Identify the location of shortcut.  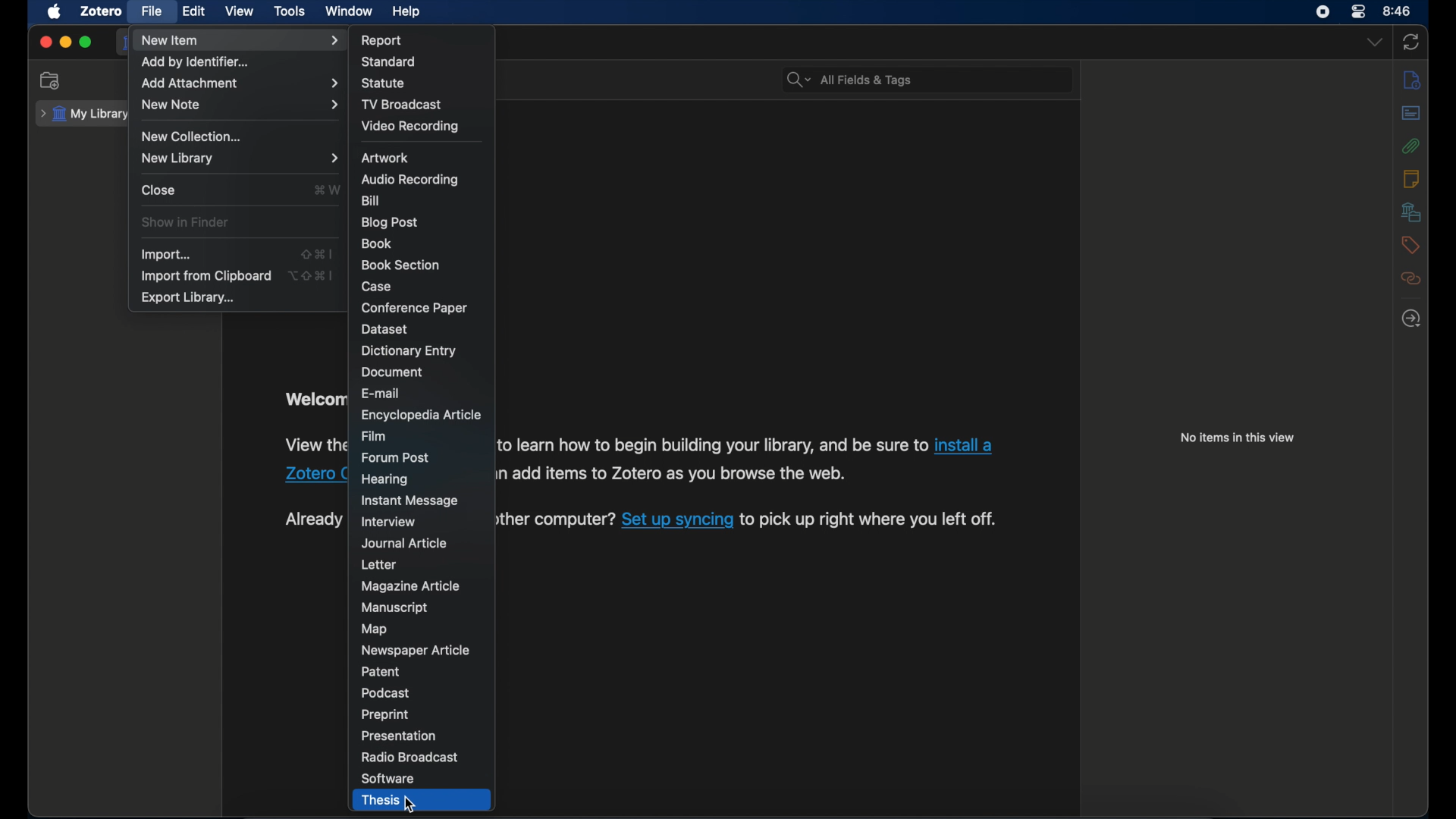
(328, 190).